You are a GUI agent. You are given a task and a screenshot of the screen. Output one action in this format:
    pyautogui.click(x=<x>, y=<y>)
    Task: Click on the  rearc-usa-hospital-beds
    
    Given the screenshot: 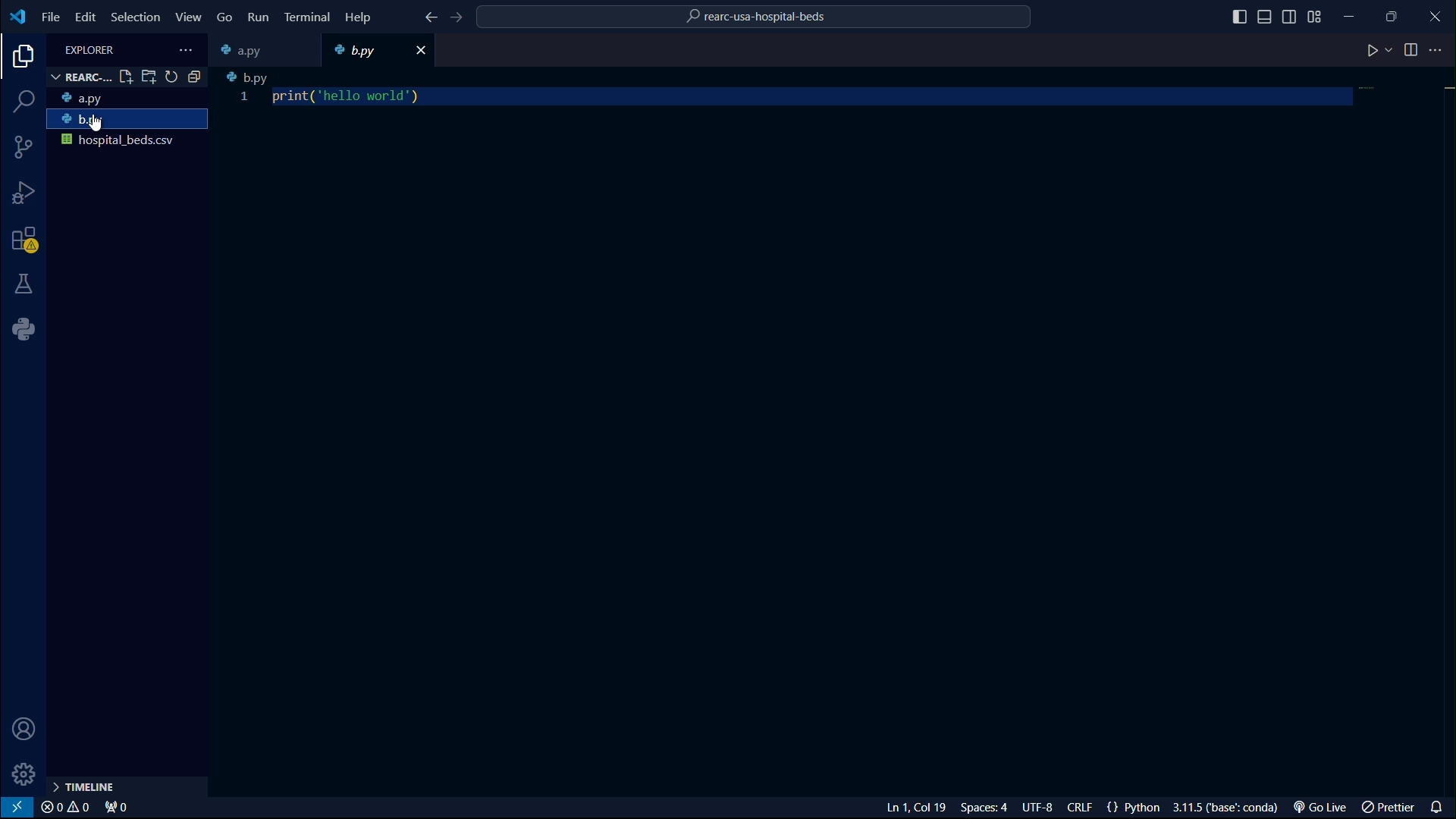 What is the action you would take?
    pyautogui.click(x=764, y=15)
    